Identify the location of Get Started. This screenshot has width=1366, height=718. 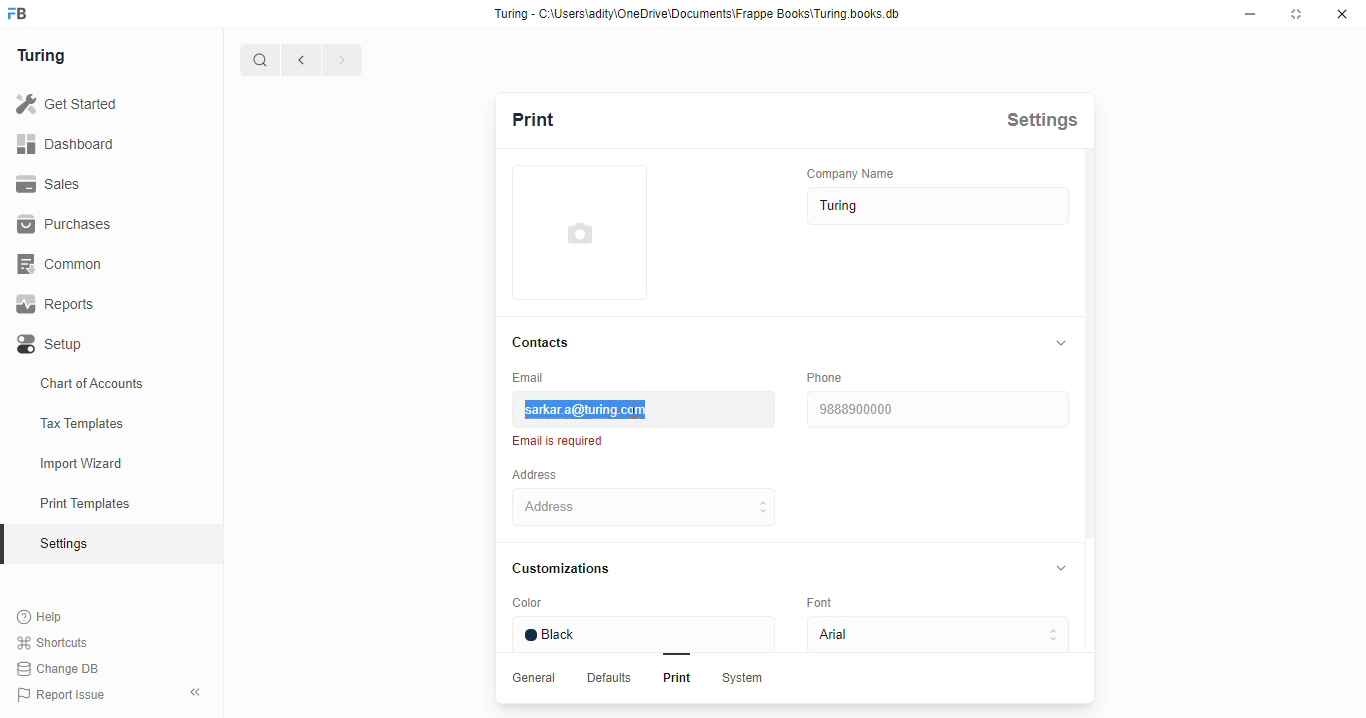
(67, 101).